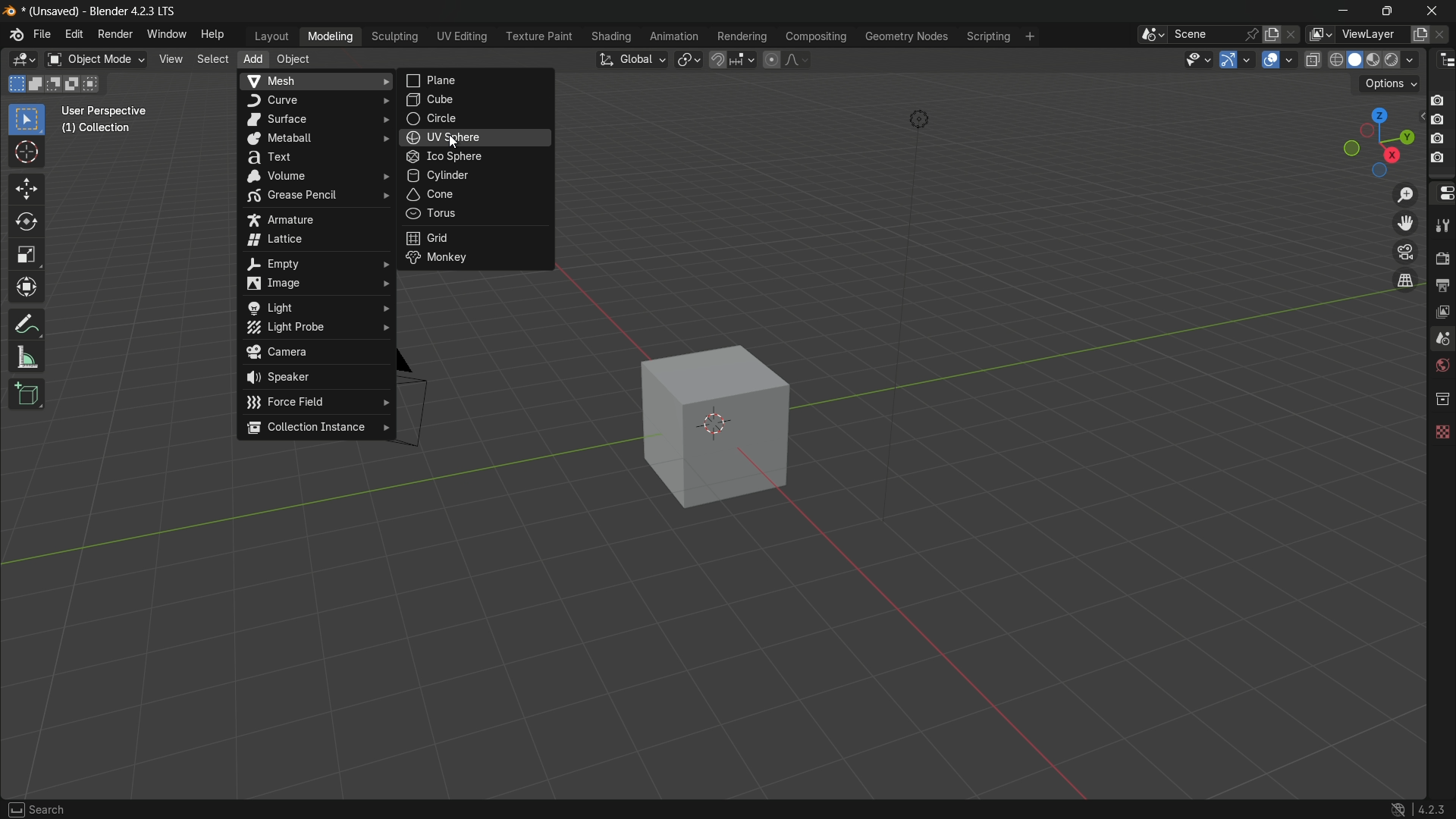 The image size is (1456, 819). I want to click on logo, so click(1397, 810).